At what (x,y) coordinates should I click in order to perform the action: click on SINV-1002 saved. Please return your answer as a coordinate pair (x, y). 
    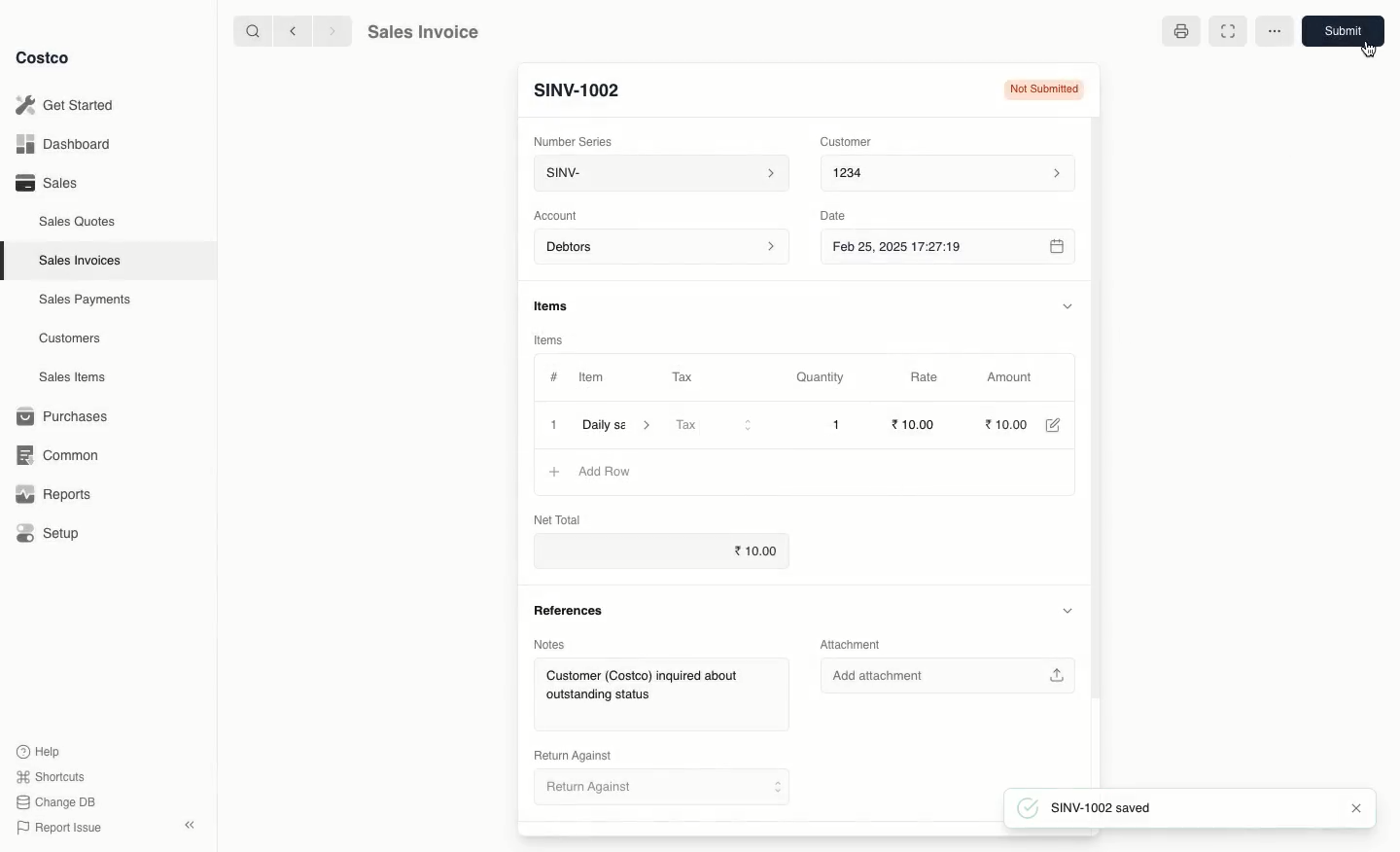
    Looking at the image, I should click on (1093, 809).